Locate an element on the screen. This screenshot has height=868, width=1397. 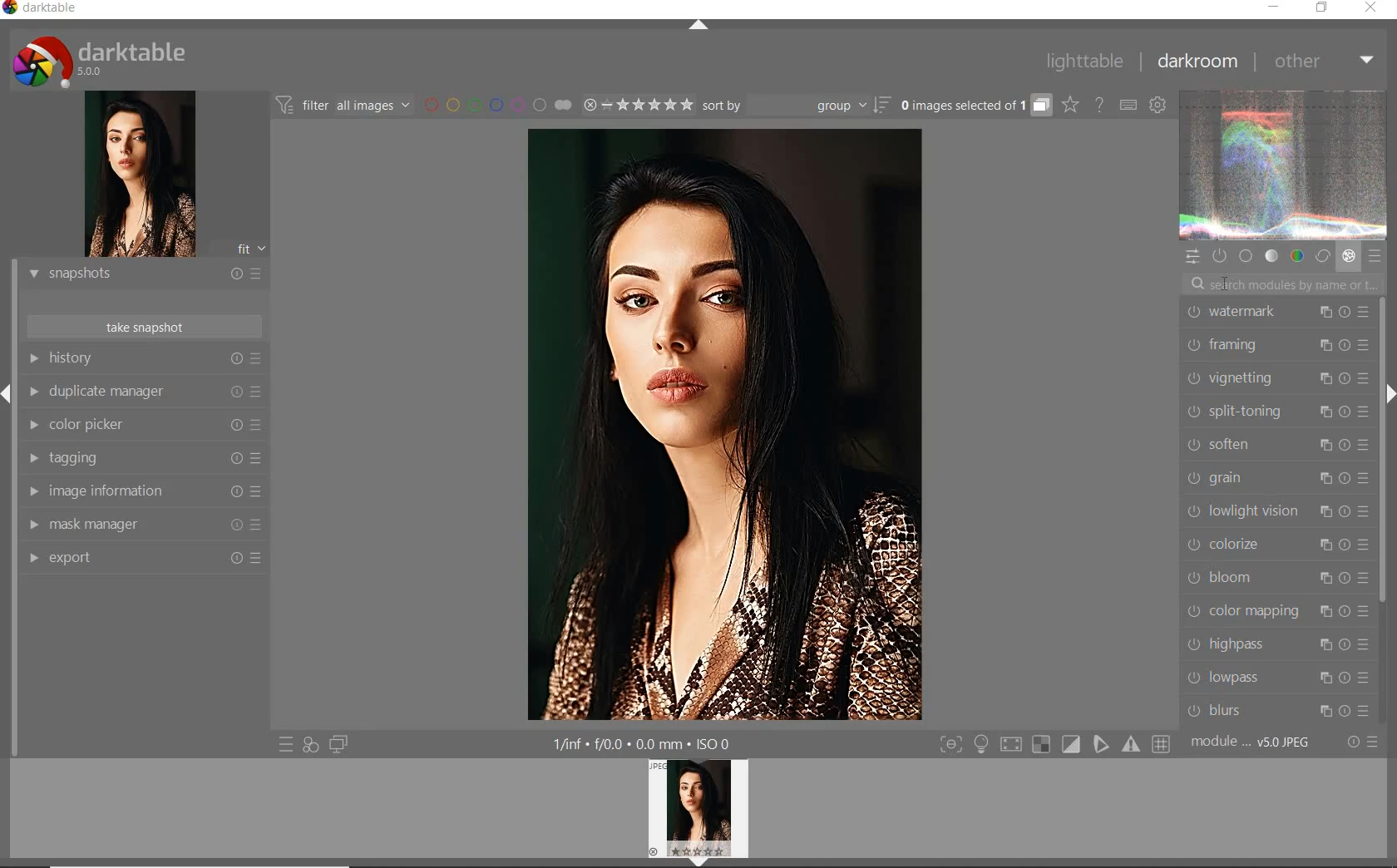
toggle modes is located at coordinates (951, 745).